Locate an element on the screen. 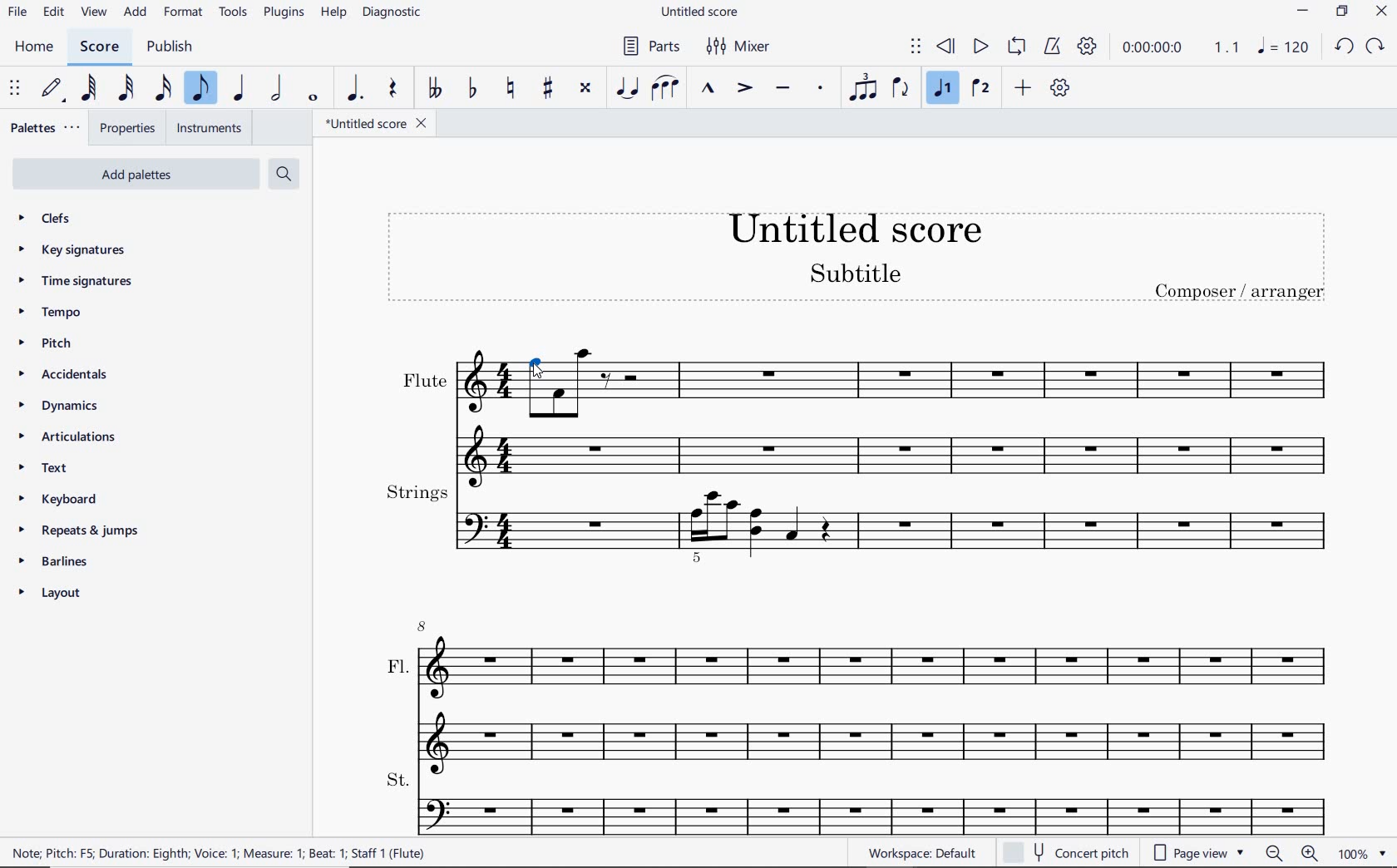  add palettes is located at coordinates (142, 173).